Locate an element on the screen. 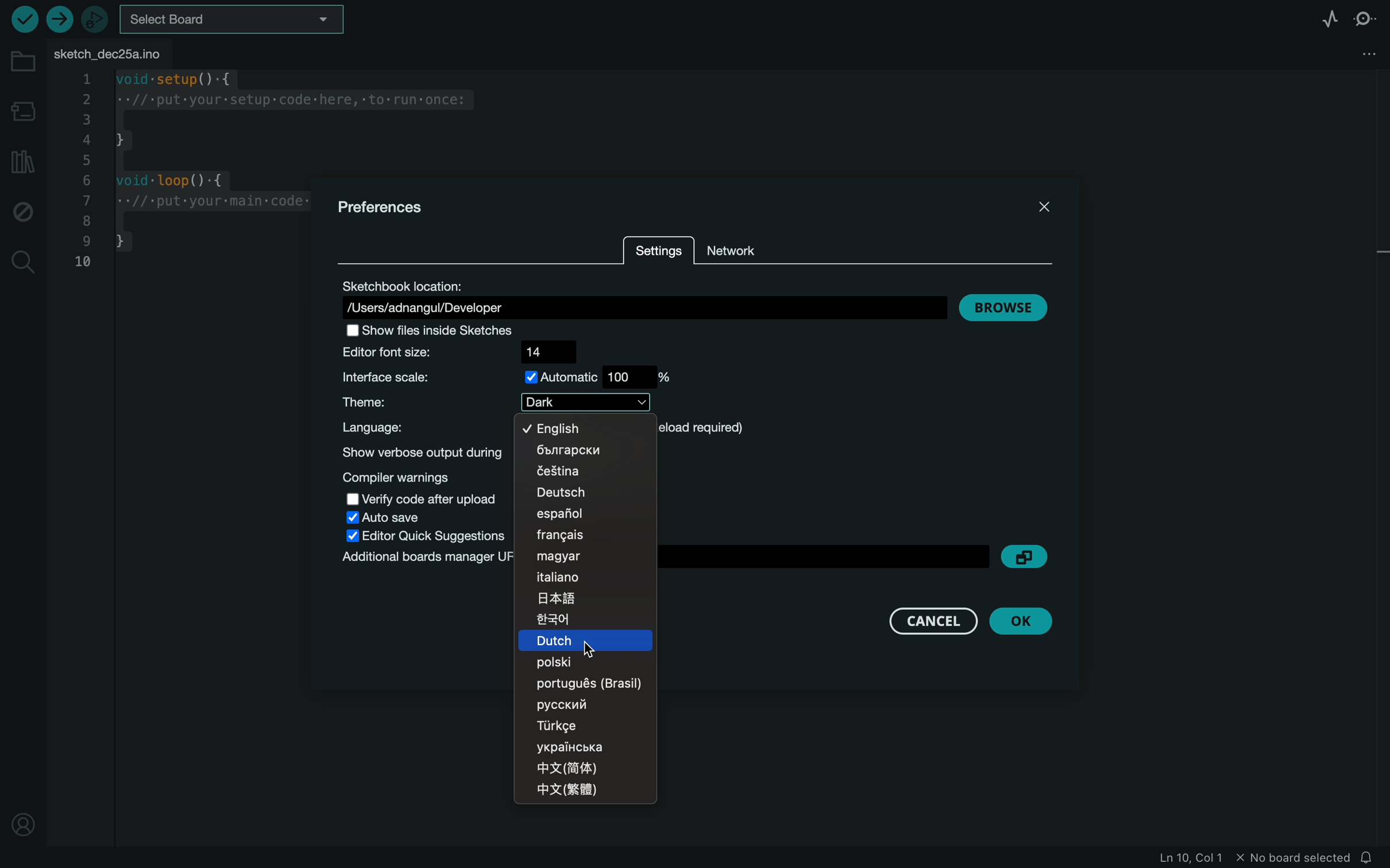  copy is located at coordinates (1028, 556).